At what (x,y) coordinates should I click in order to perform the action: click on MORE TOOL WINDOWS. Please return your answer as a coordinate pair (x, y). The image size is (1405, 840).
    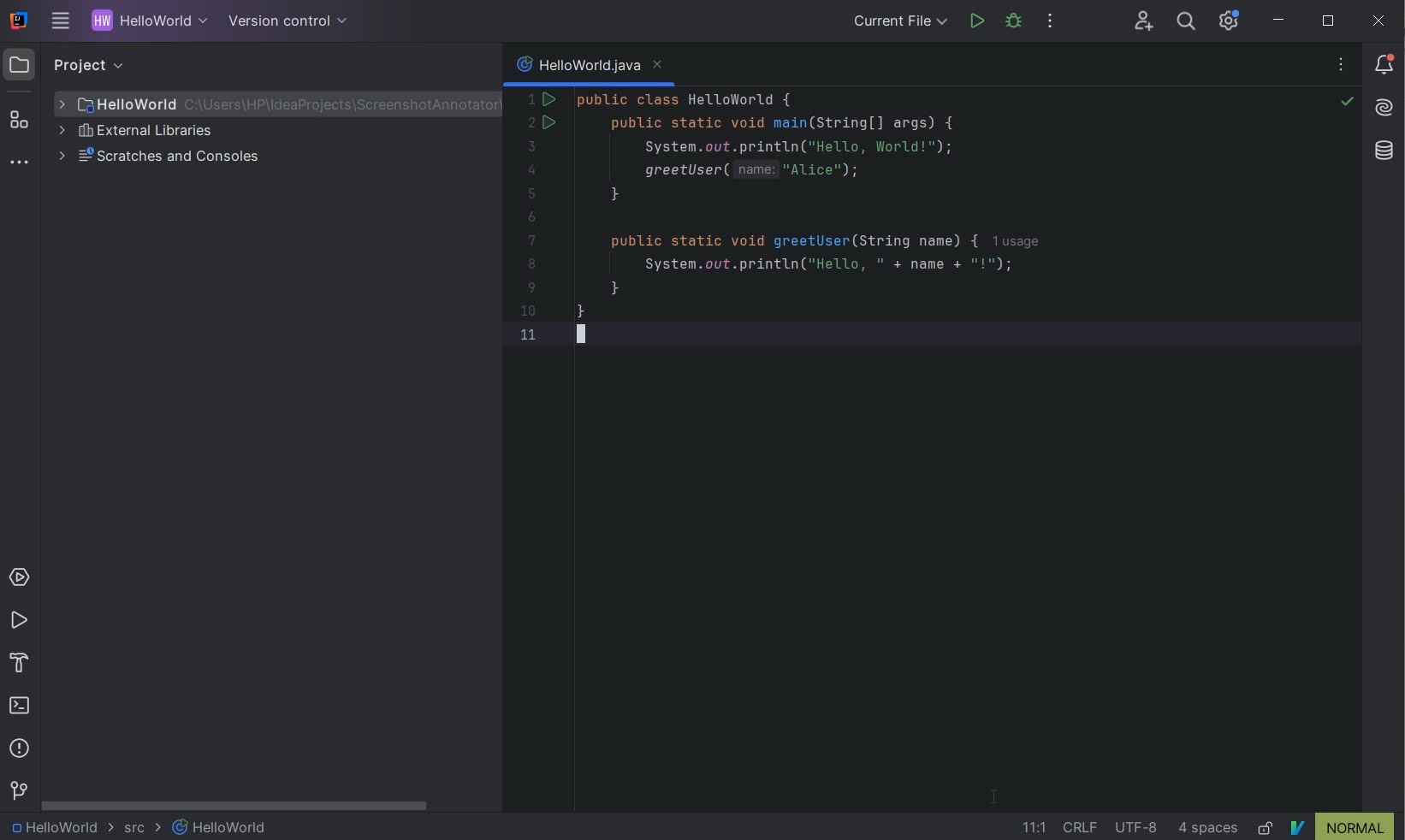
    Looking at the image, I should click on (19, 163).